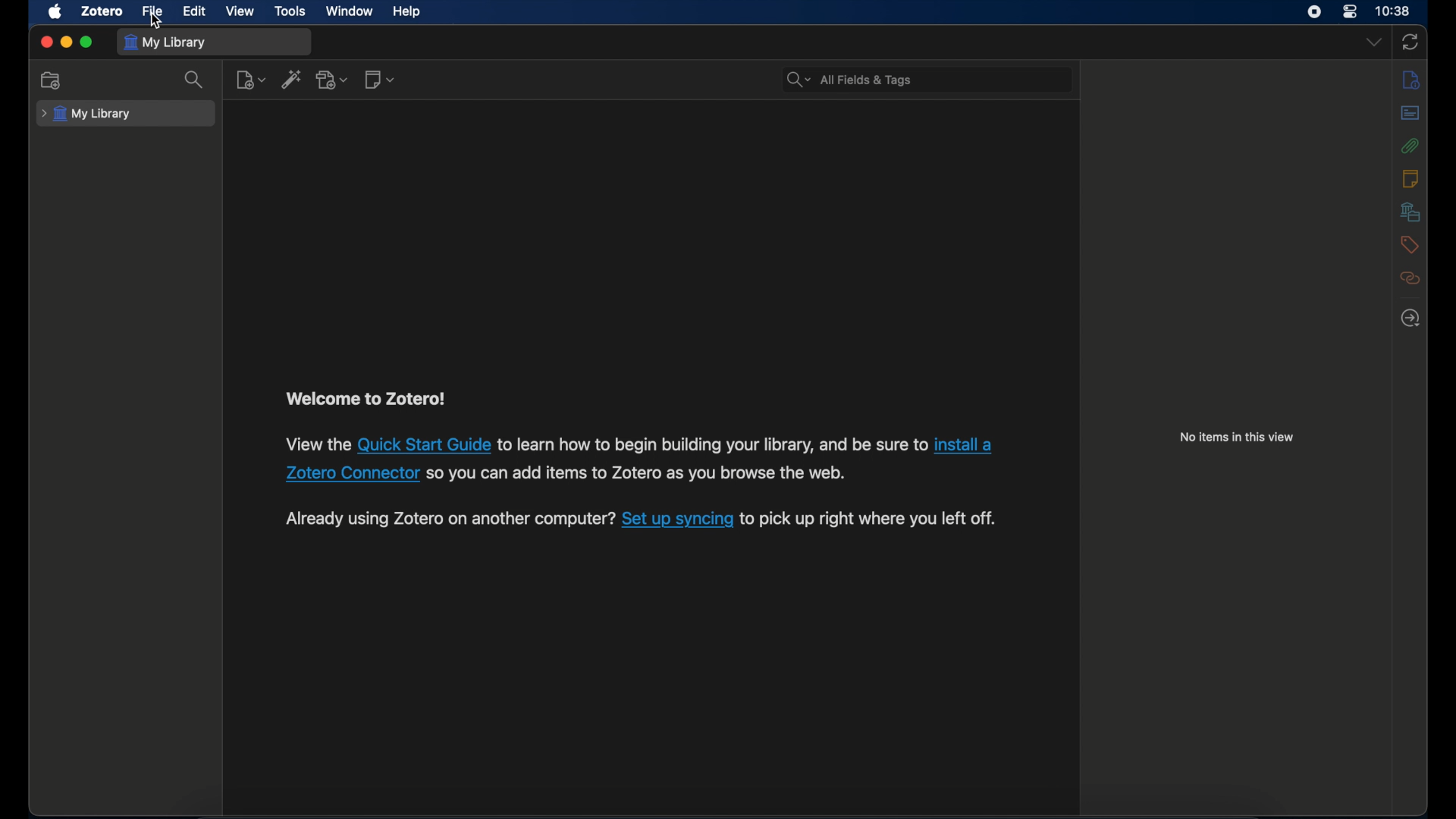  I want to click on abstract, so click(1410, 113).